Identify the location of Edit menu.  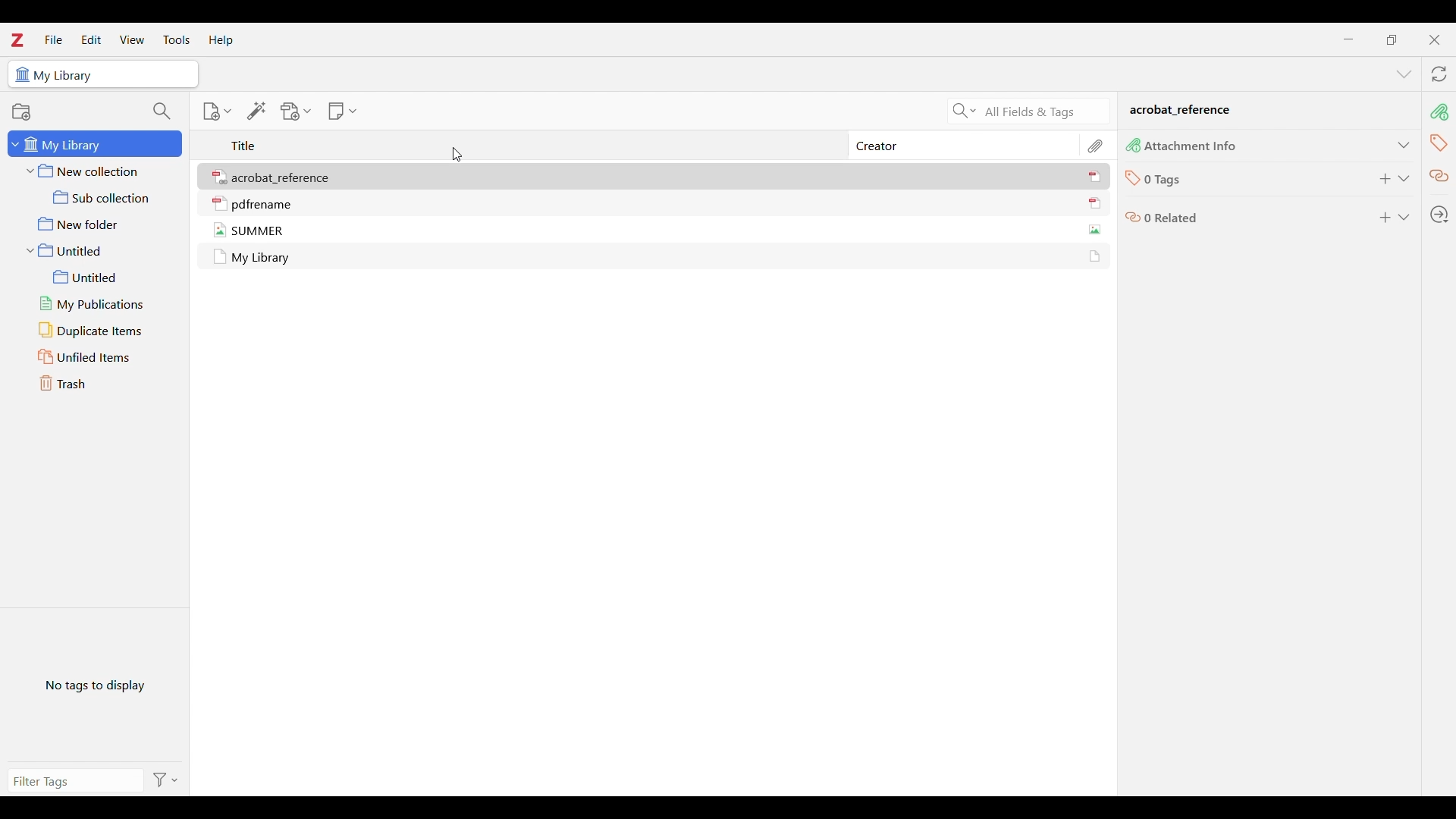
(91, 39).